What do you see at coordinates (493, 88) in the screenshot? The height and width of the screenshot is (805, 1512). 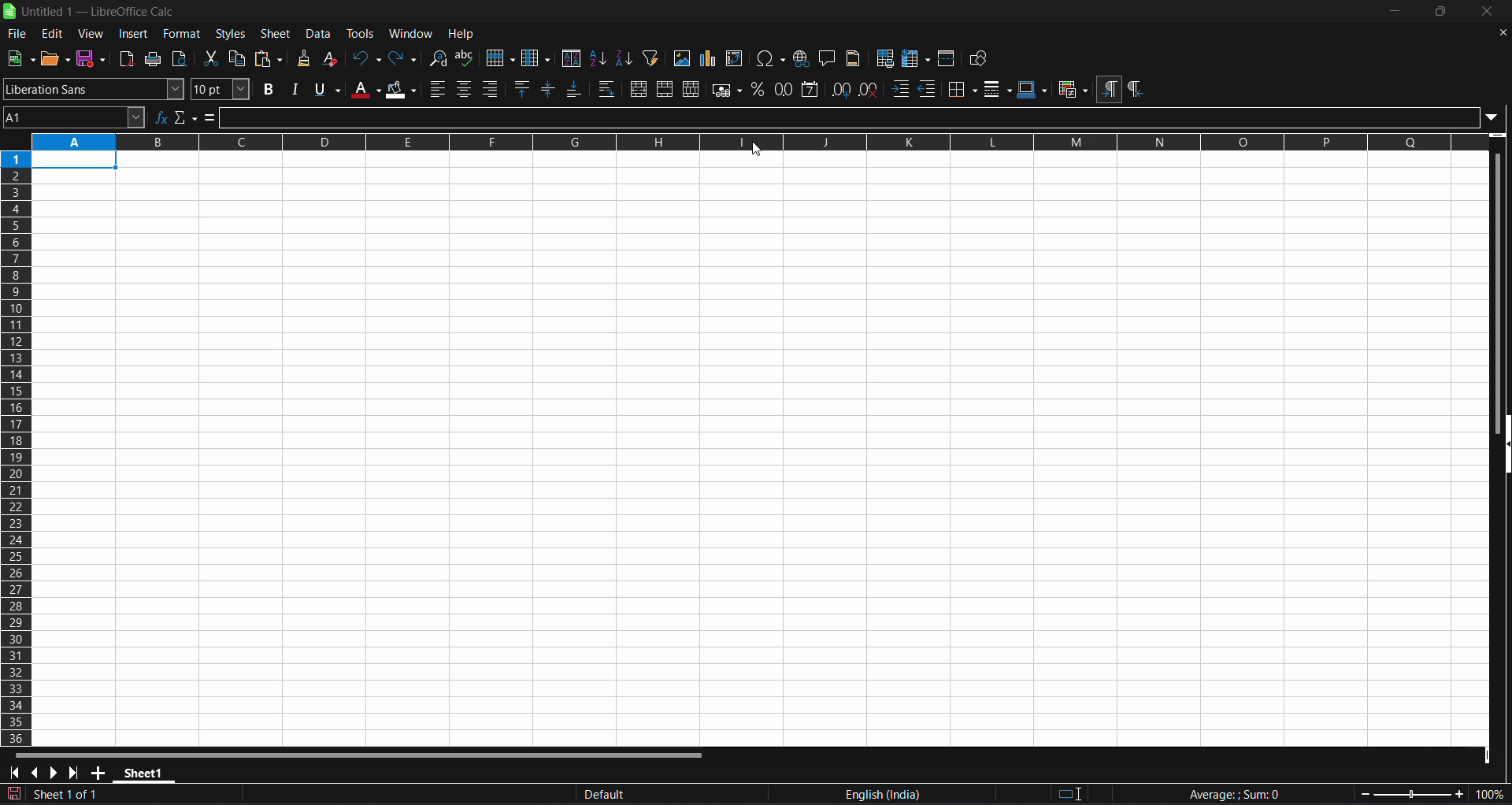 I see `align right` at bounding box center [493, 88].